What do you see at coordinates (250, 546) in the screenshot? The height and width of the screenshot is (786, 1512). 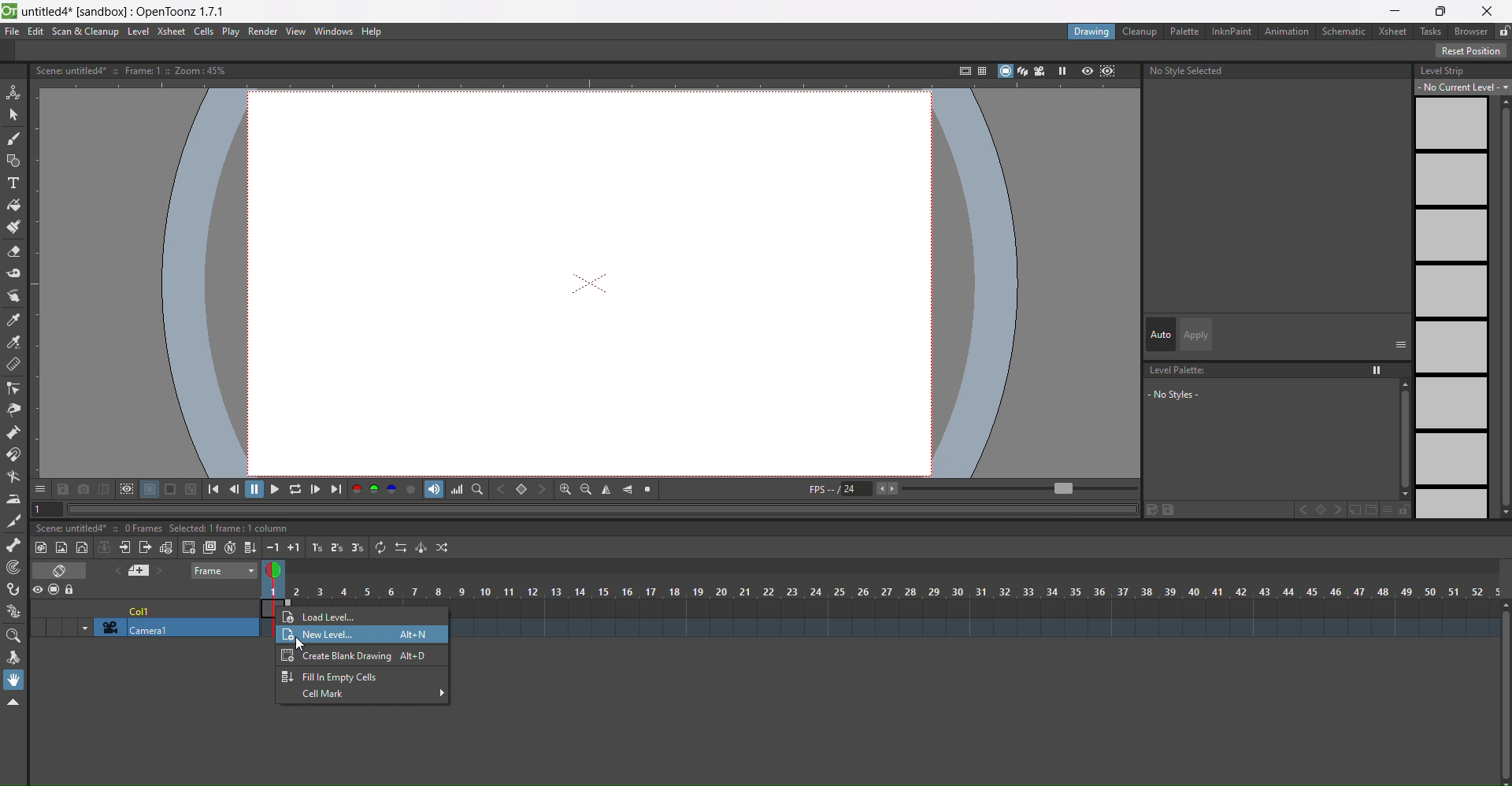 I see `fill in empty cells` at bounding box center [250, 546].